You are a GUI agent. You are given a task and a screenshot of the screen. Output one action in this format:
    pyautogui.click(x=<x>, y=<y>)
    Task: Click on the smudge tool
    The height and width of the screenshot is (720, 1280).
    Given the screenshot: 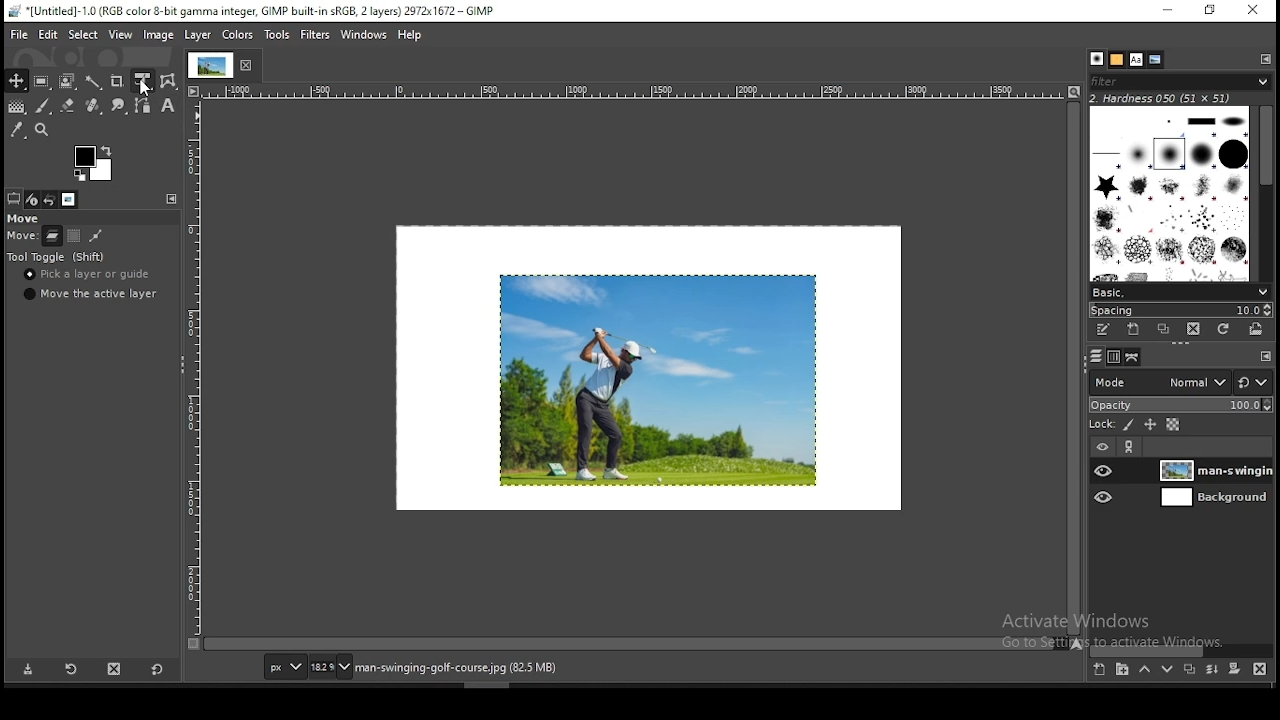 What is the action you would take?
    pyautogui.click(x=120, y=105)
    